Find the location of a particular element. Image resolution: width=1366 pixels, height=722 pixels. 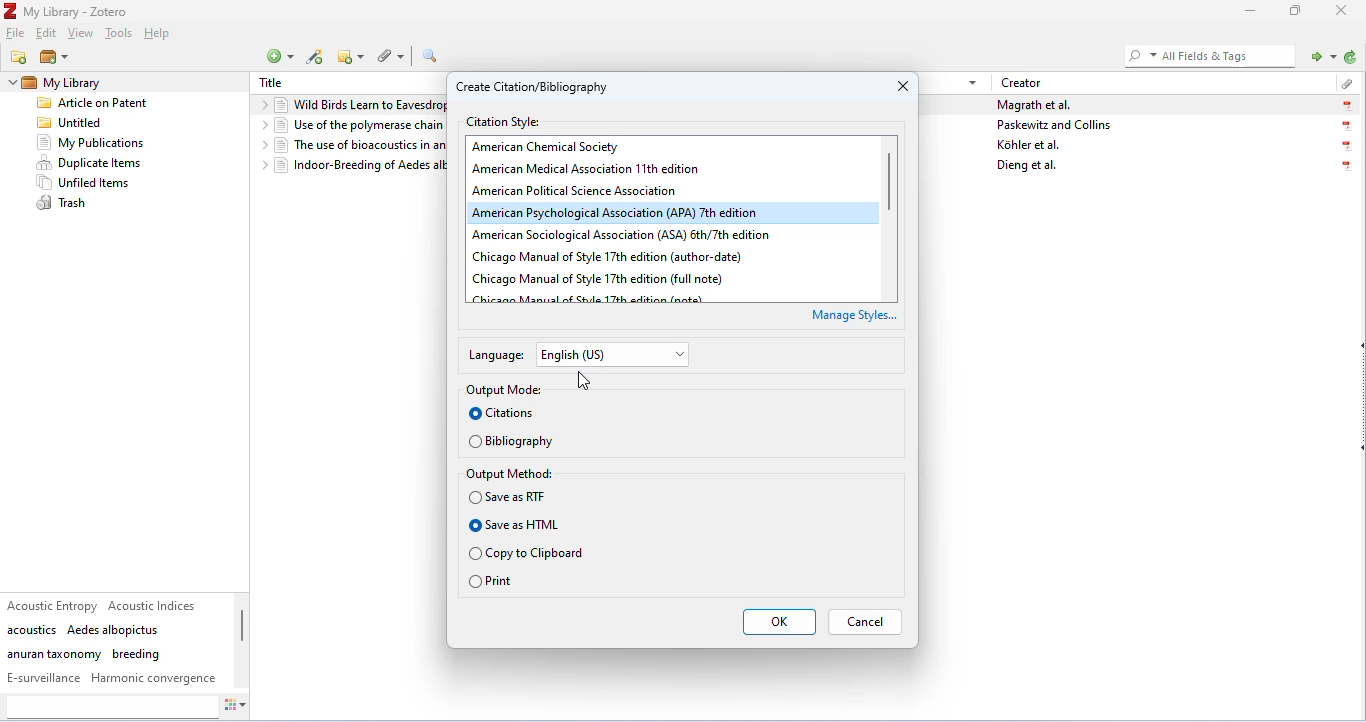

E surveniance Harmonic convergence is located at coordinates (112, 678).